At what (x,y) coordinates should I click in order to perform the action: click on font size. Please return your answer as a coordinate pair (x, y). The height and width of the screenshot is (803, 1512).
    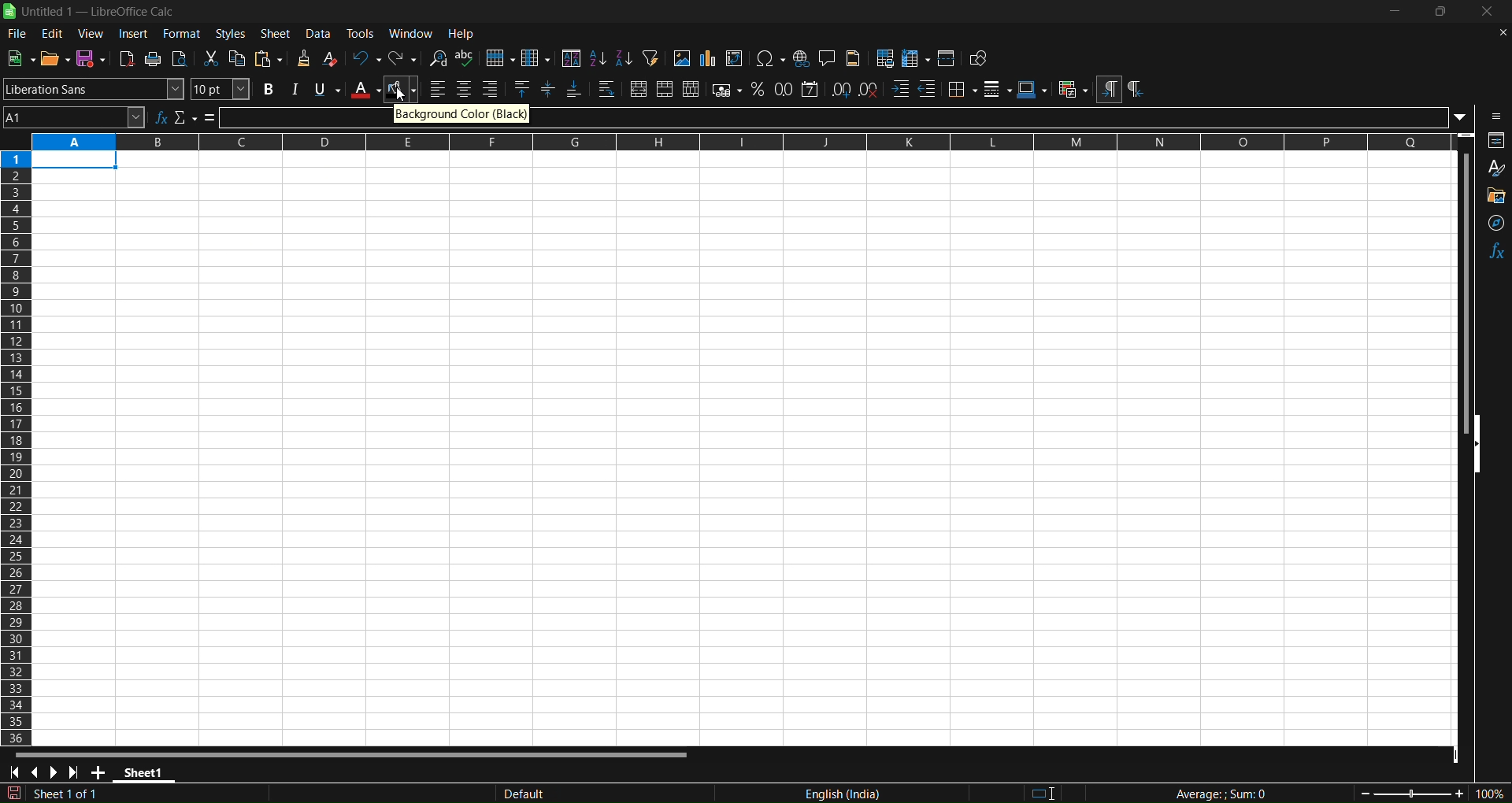
    Looking at the image, I should click on (220, 89).